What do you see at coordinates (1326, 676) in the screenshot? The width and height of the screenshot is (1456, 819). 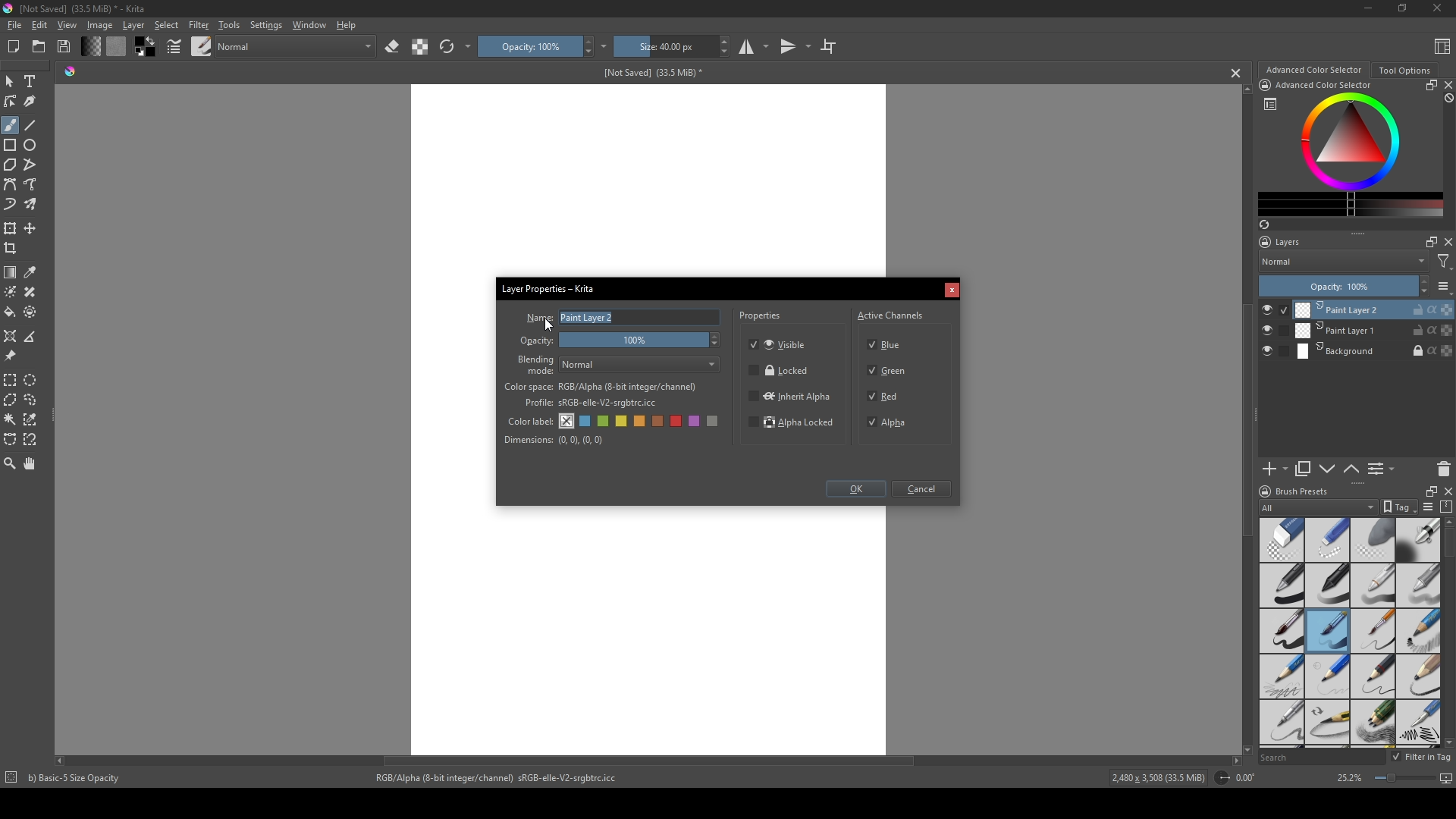 I see `pencil` at bounding box center [1326, 676].